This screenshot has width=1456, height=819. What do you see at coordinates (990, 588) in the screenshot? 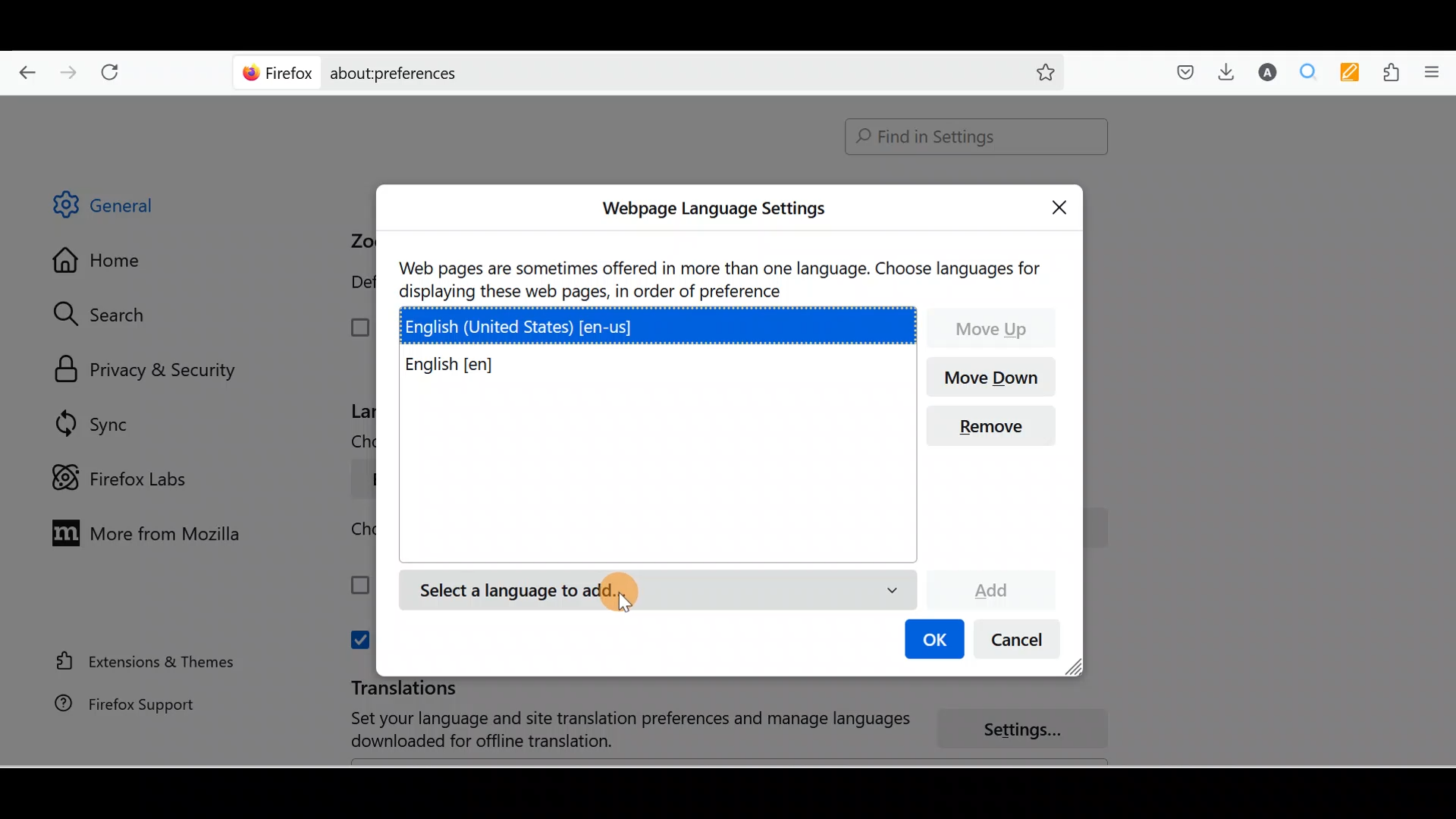
I see `Add` at bounding box center [990, 588].